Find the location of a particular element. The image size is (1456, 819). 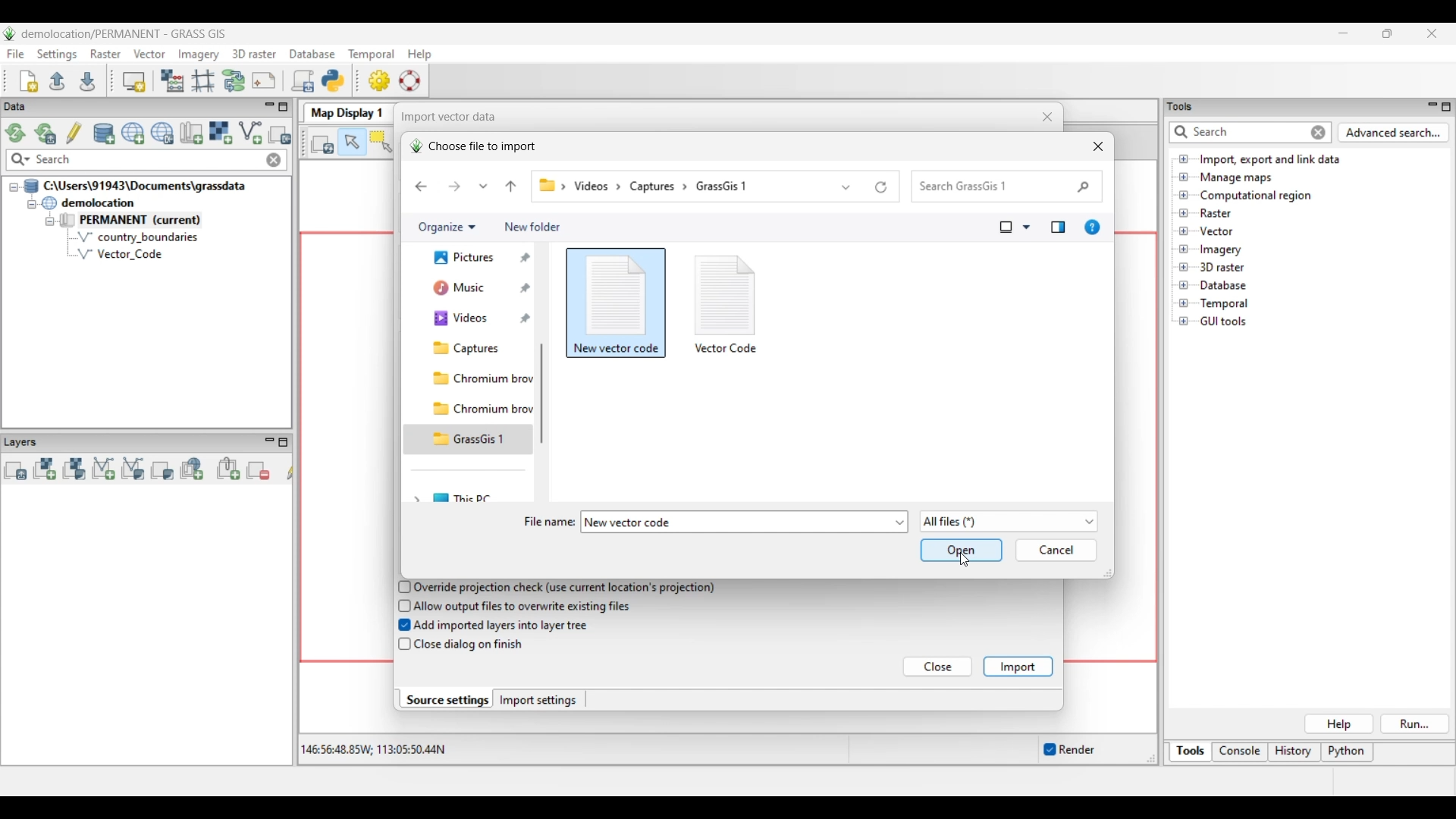

This PC folder is located at coordinates (482, 496).